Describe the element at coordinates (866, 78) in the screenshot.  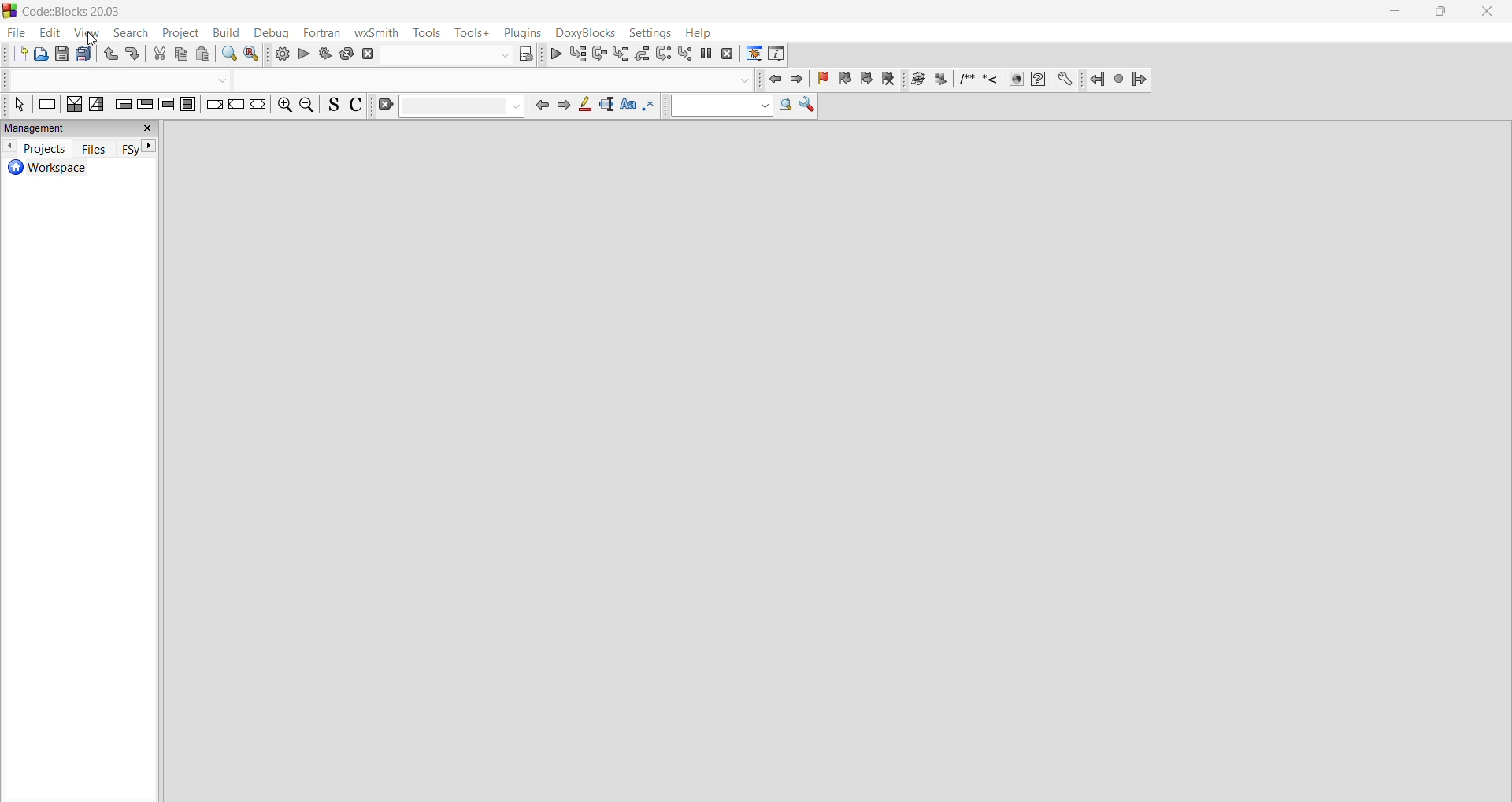
I see `next bookmark` at that location.